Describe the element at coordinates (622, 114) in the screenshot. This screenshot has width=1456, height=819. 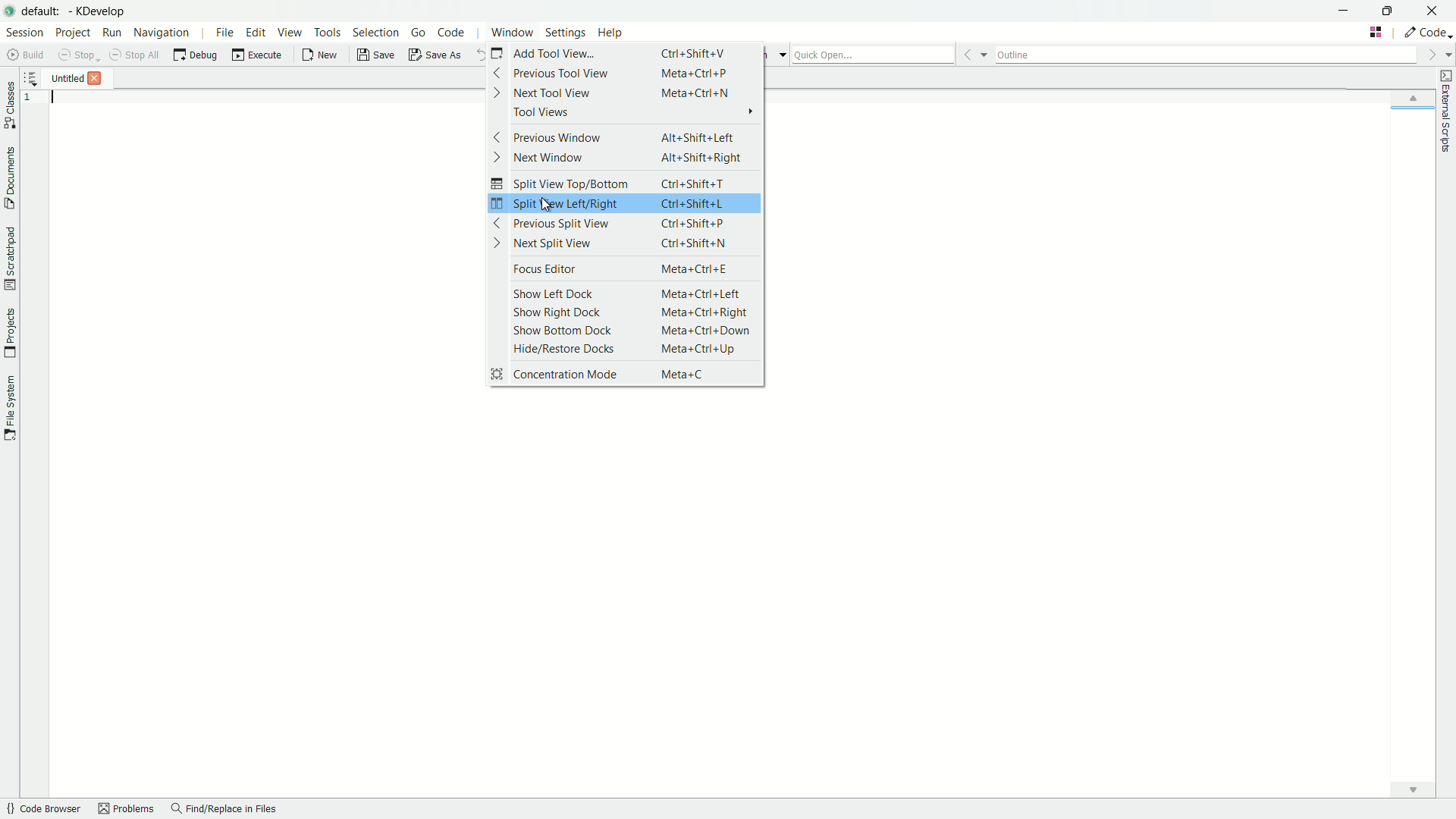
I see `tool views` at that location.